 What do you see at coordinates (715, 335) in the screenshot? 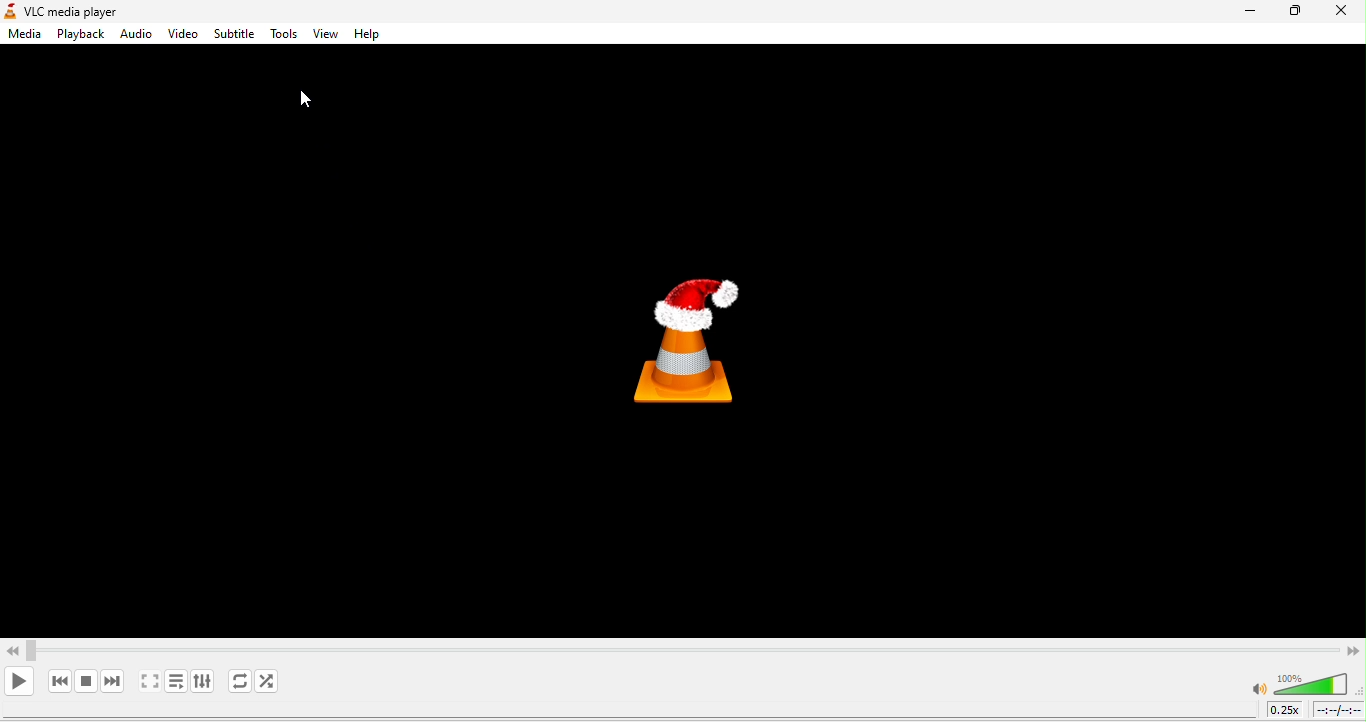
I see `vlc media player logo` at bounding box center [715, 335].